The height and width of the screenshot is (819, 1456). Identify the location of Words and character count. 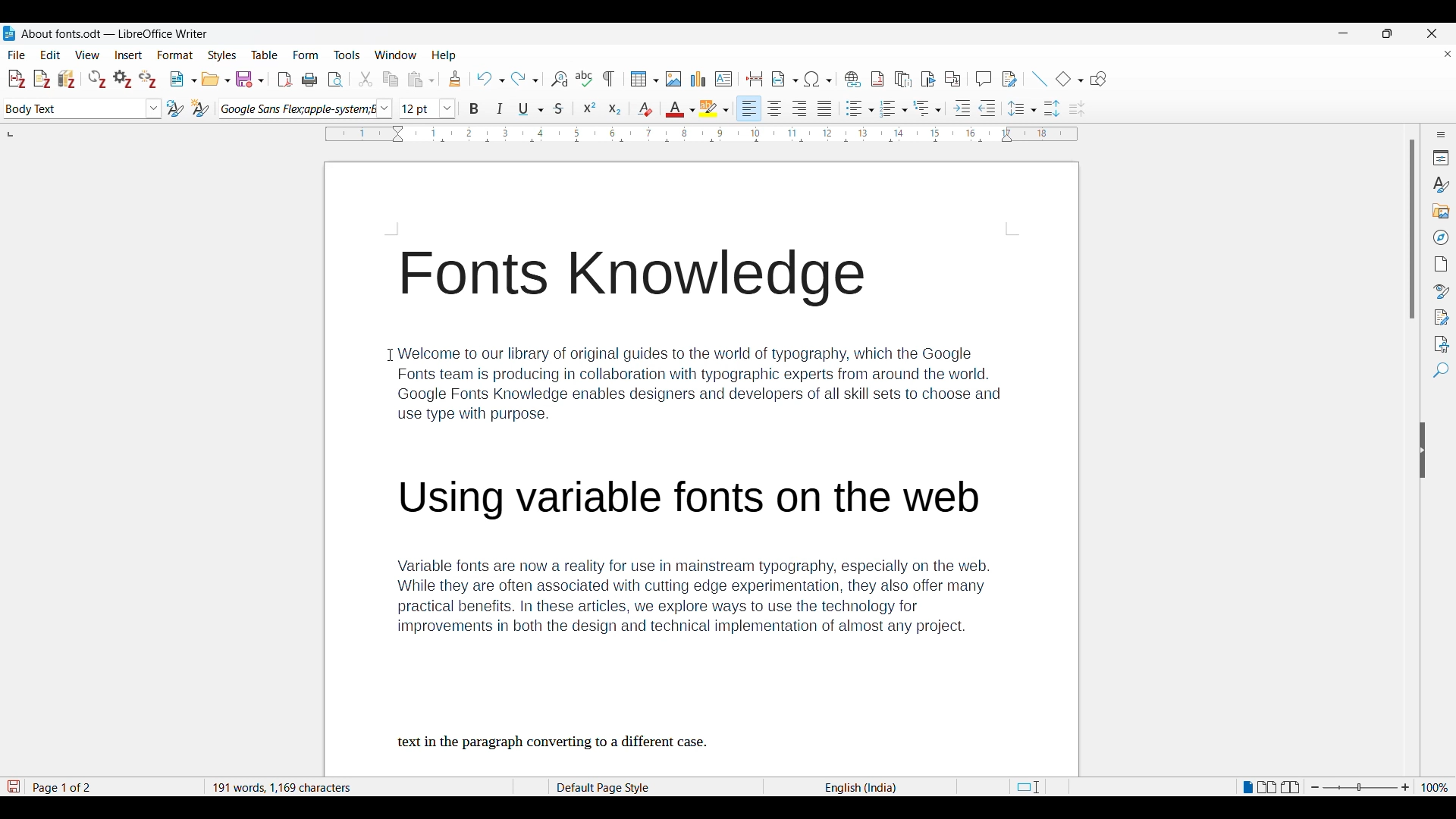
(354, 786).